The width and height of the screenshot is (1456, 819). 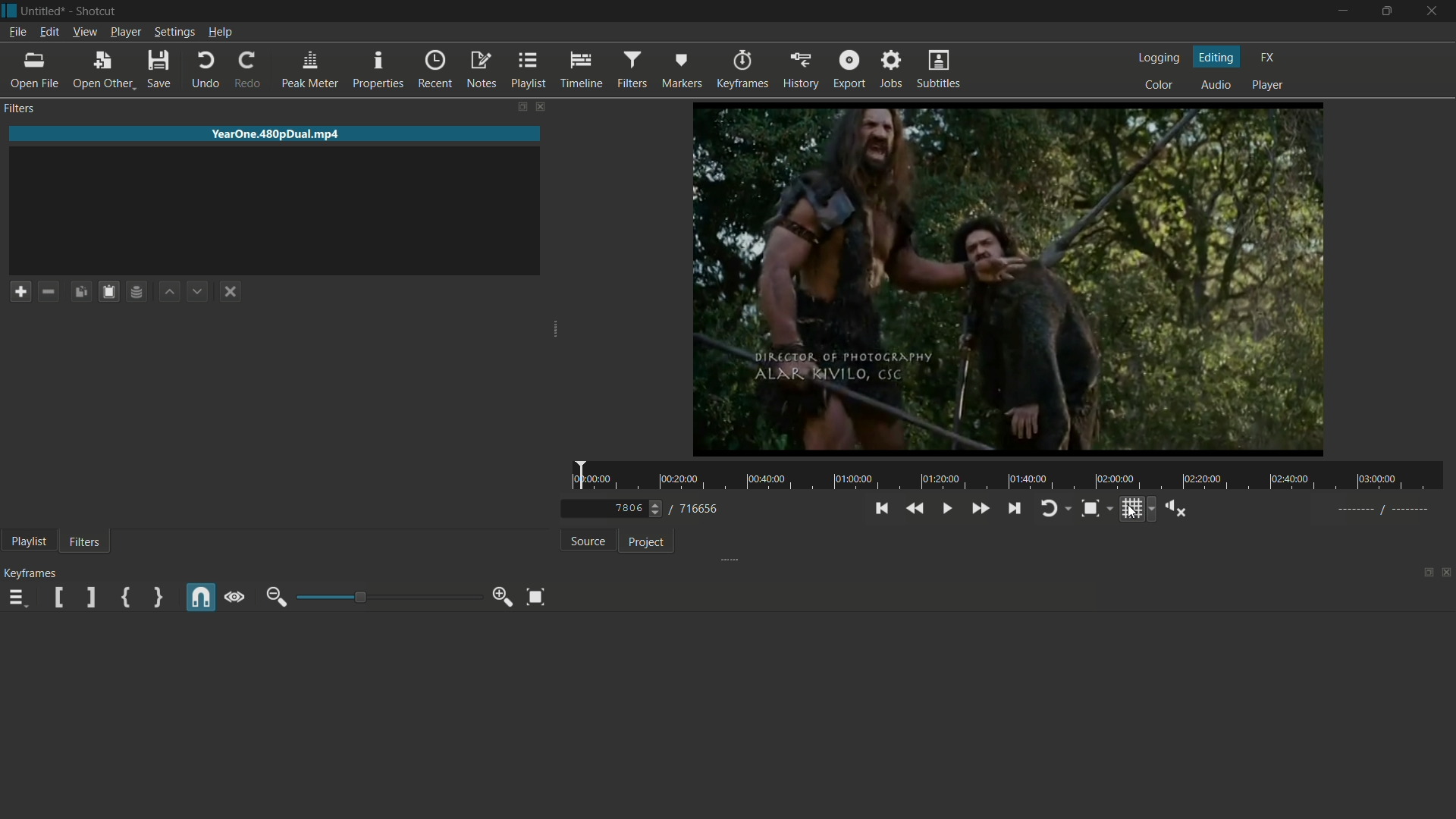 What do you see at coordinates (879, 507) in the screenshot?
I see `skip to the previous point` at bounding box center [879, 507].